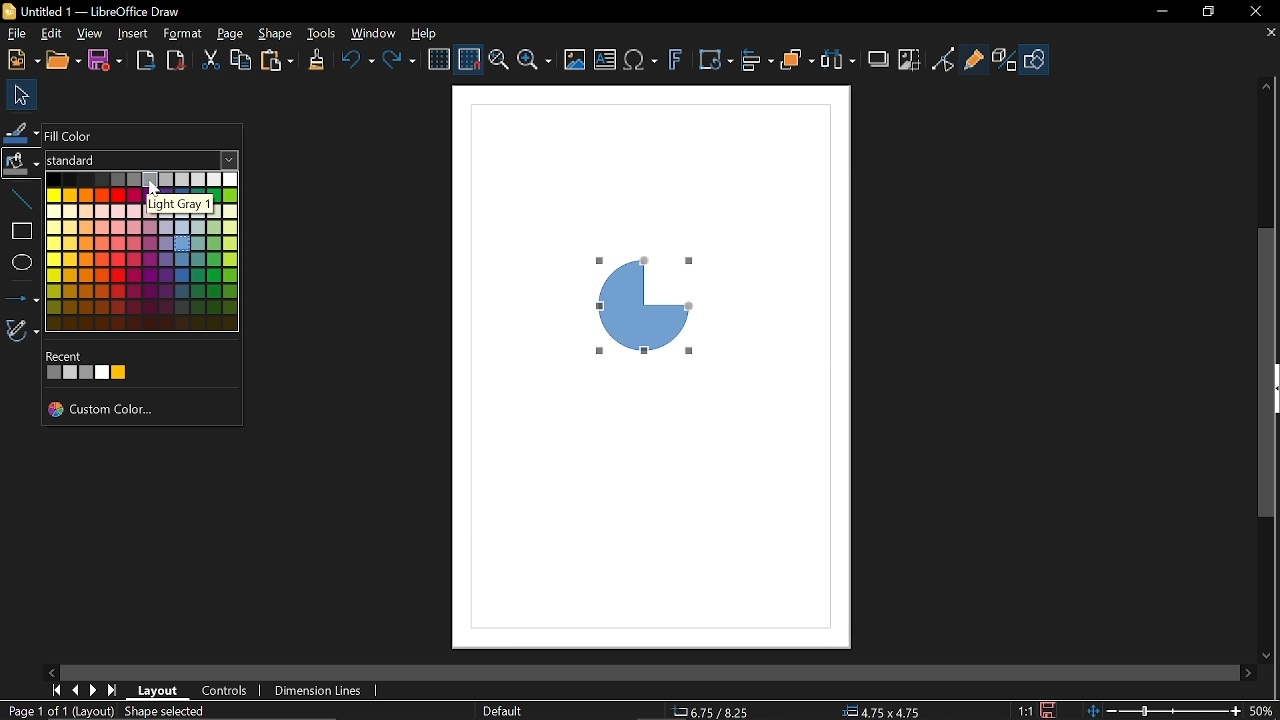  What do you see at coordinates (159, 692) in the screenshot?
I see `Layout` at bounding box center [159, 692].